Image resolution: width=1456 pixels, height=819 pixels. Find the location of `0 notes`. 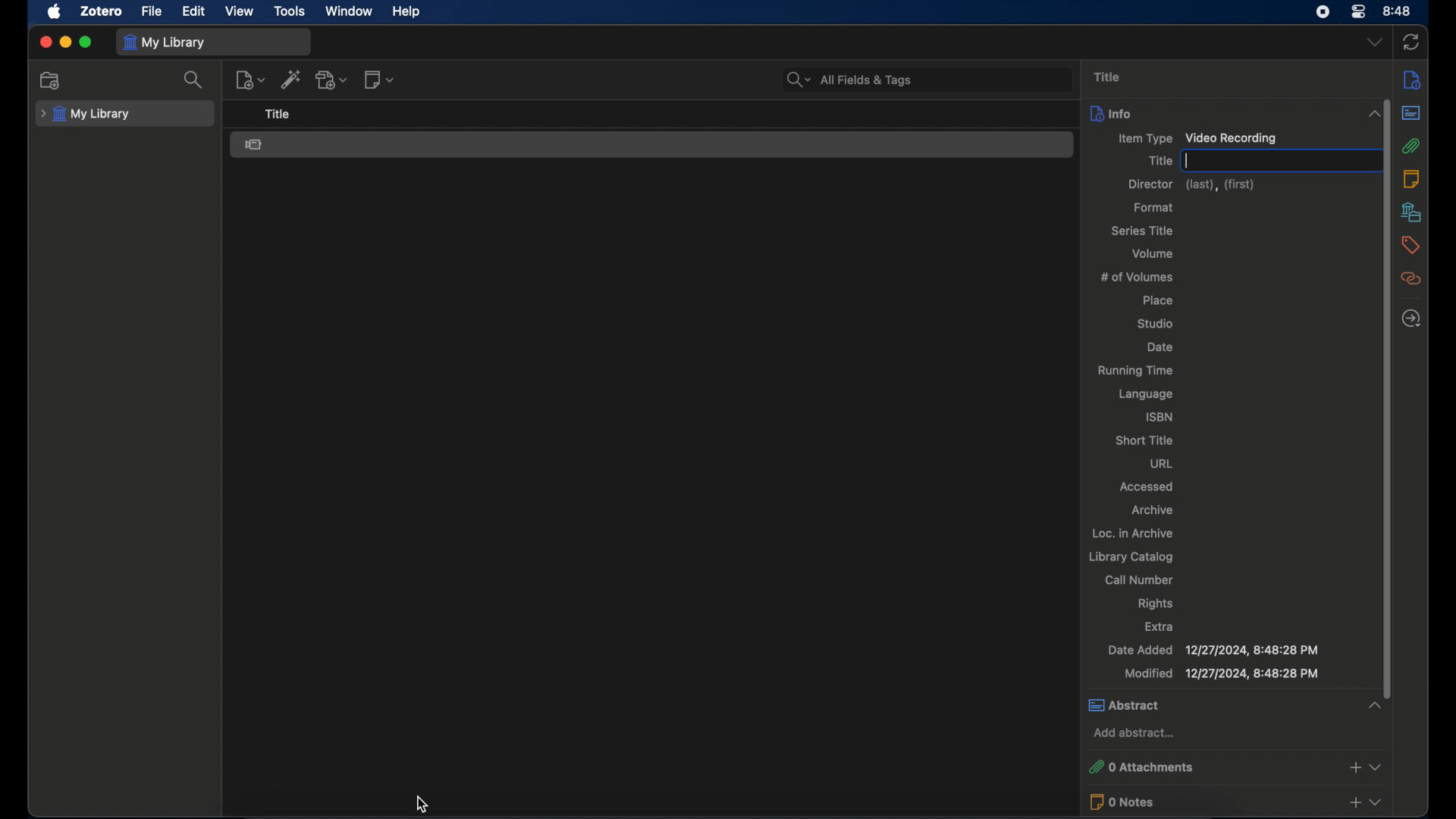

0 notes is located at coordinates (1210, 802).